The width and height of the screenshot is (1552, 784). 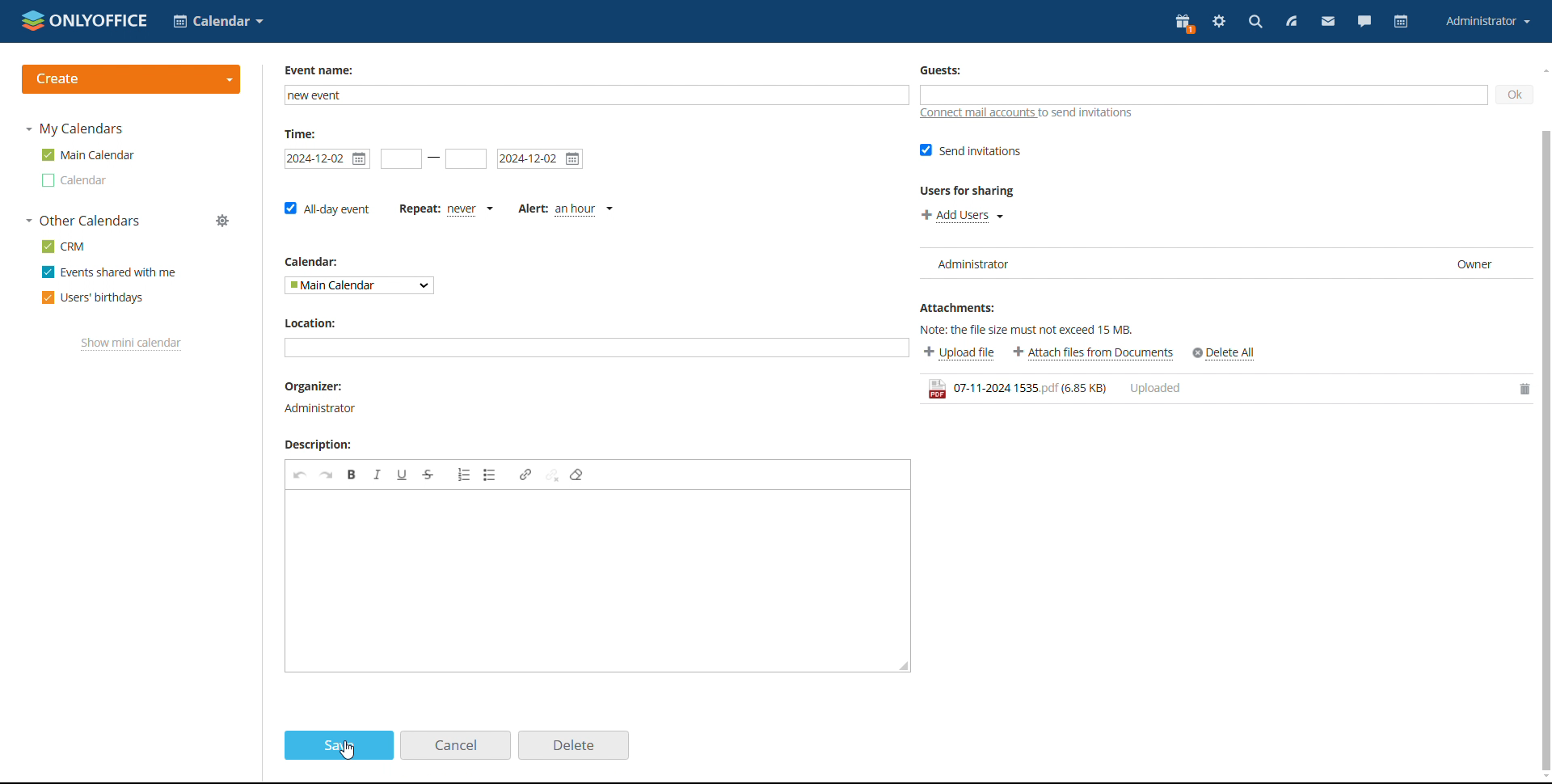 What do you see at coordinates (402, 160) in the screenshot?
I see `start date` at bounding box center [402, 160].